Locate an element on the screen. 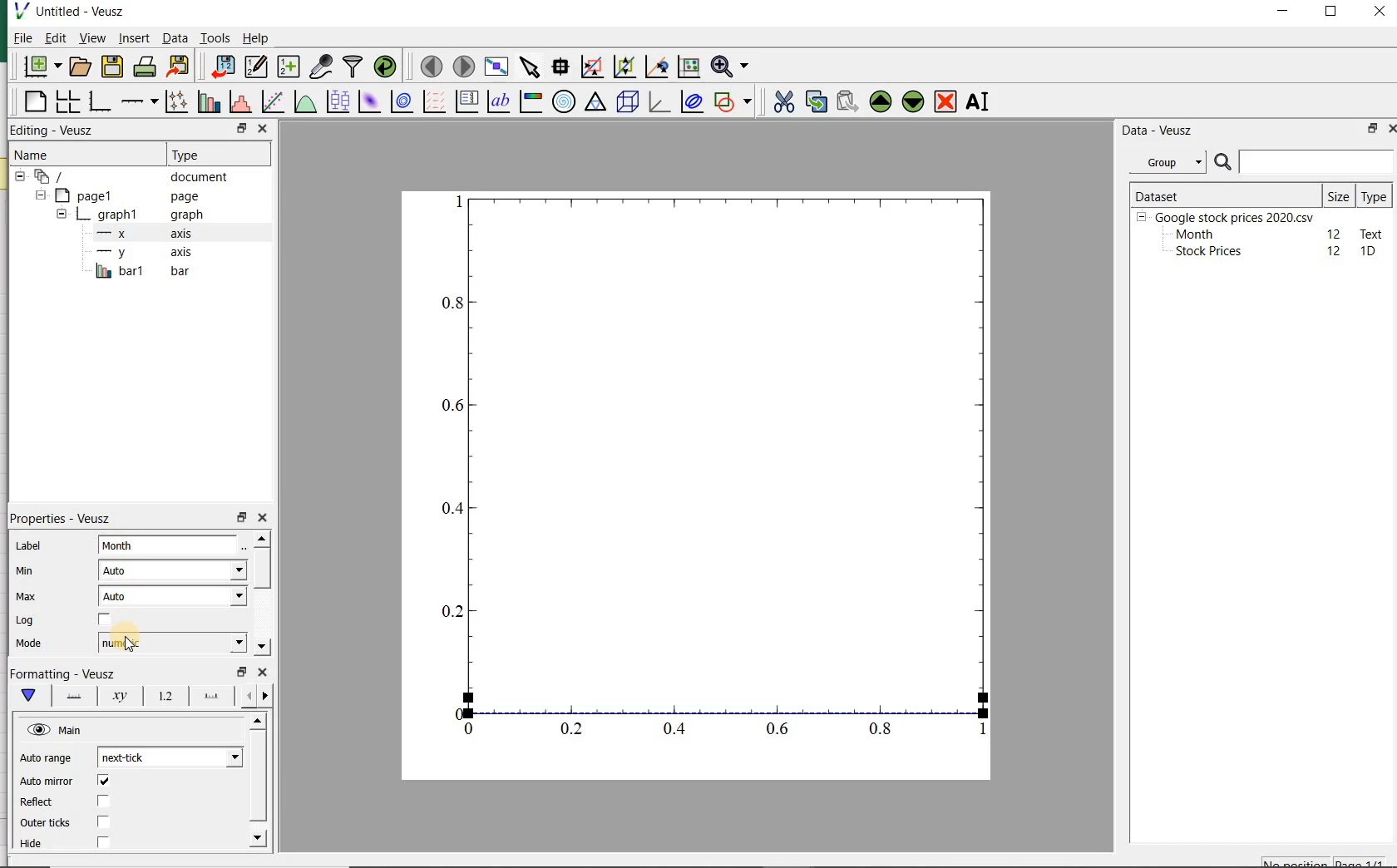  Auto is located at coordinates (172, 570).